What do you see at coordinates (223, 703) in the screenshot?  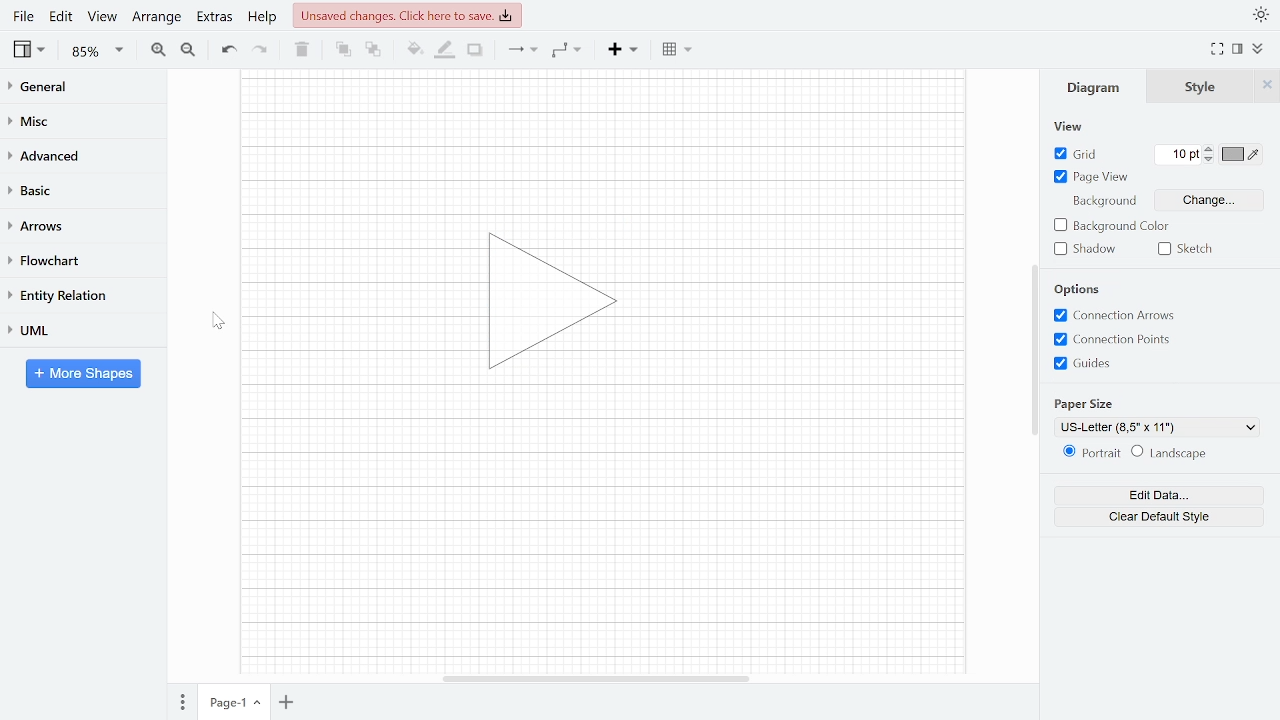 I see `Current page` at bounding box center [223, 703].